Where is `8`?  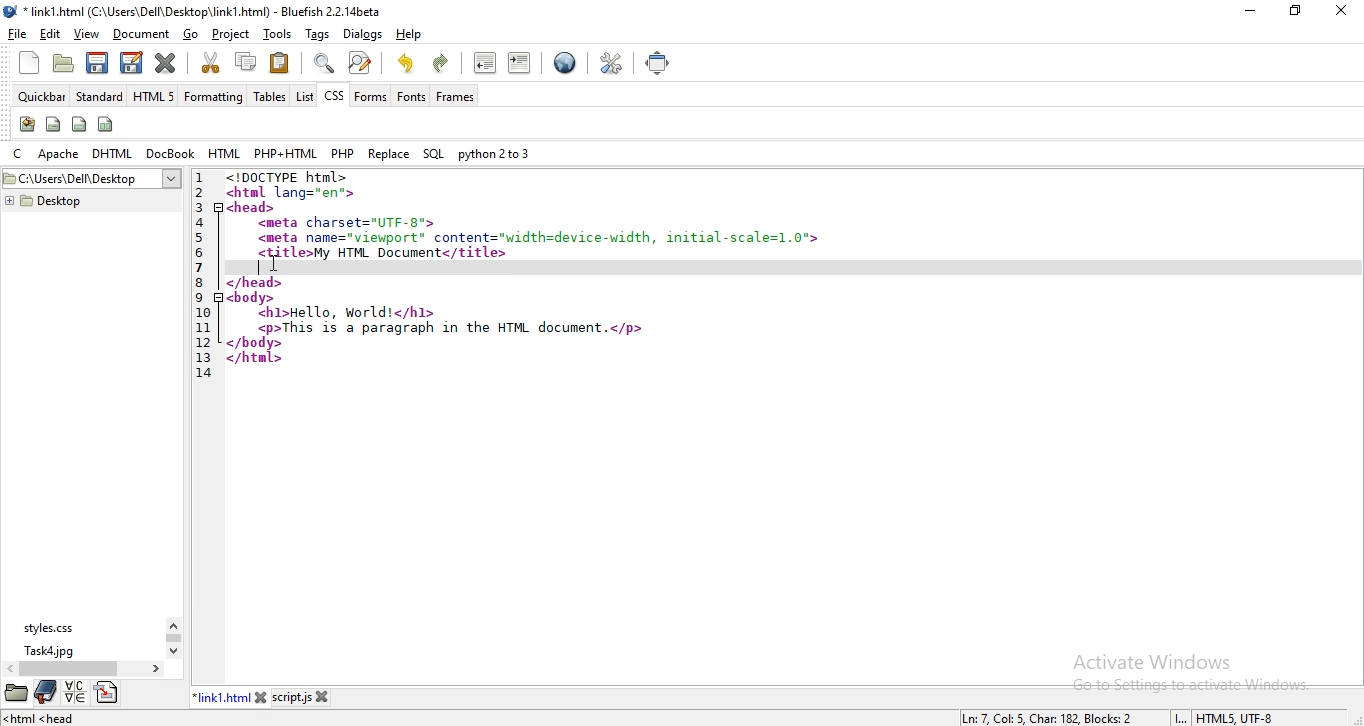
8 is located at coordinates (199, 283).